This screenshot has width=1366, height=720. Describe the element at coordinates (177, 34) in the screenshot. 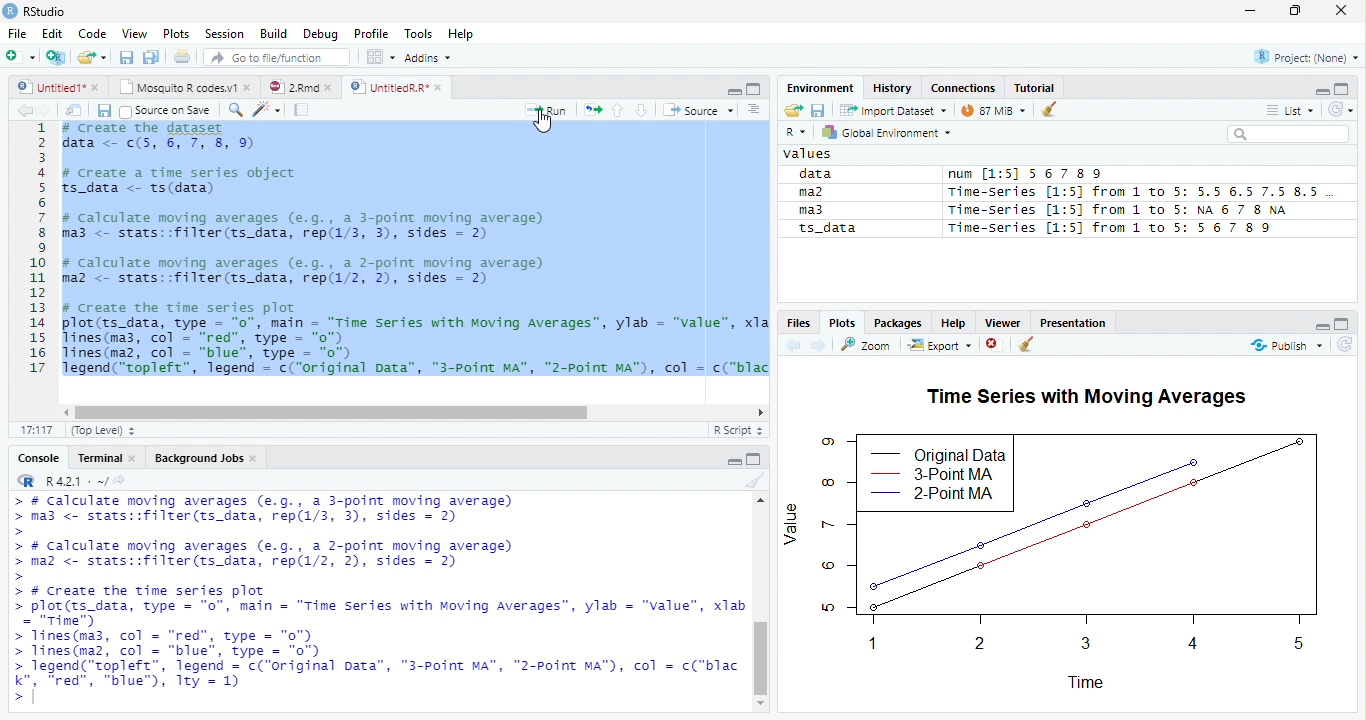

I see `Plots` at that location.